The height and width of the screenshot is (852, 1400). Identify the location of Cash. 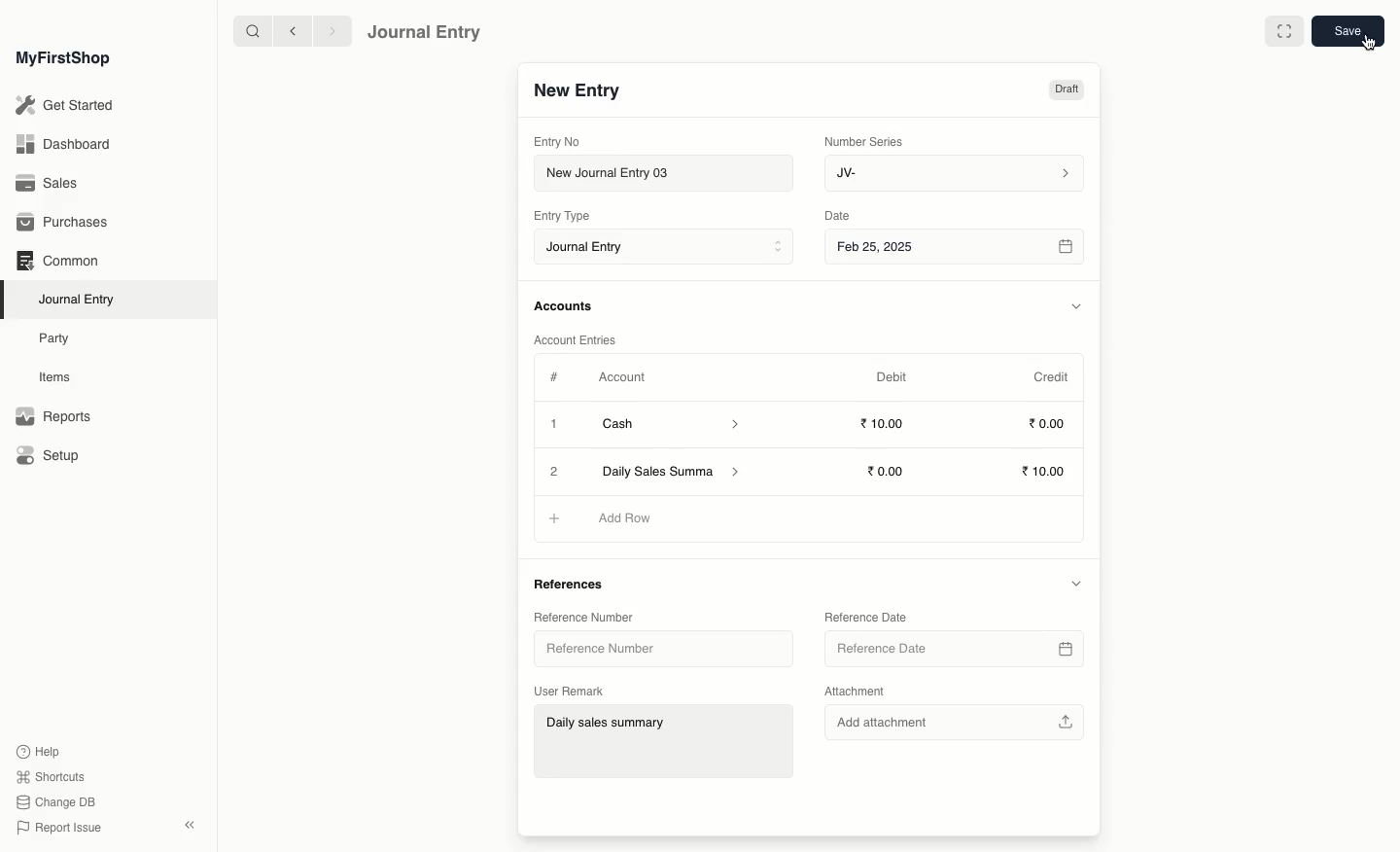
(670, 424).